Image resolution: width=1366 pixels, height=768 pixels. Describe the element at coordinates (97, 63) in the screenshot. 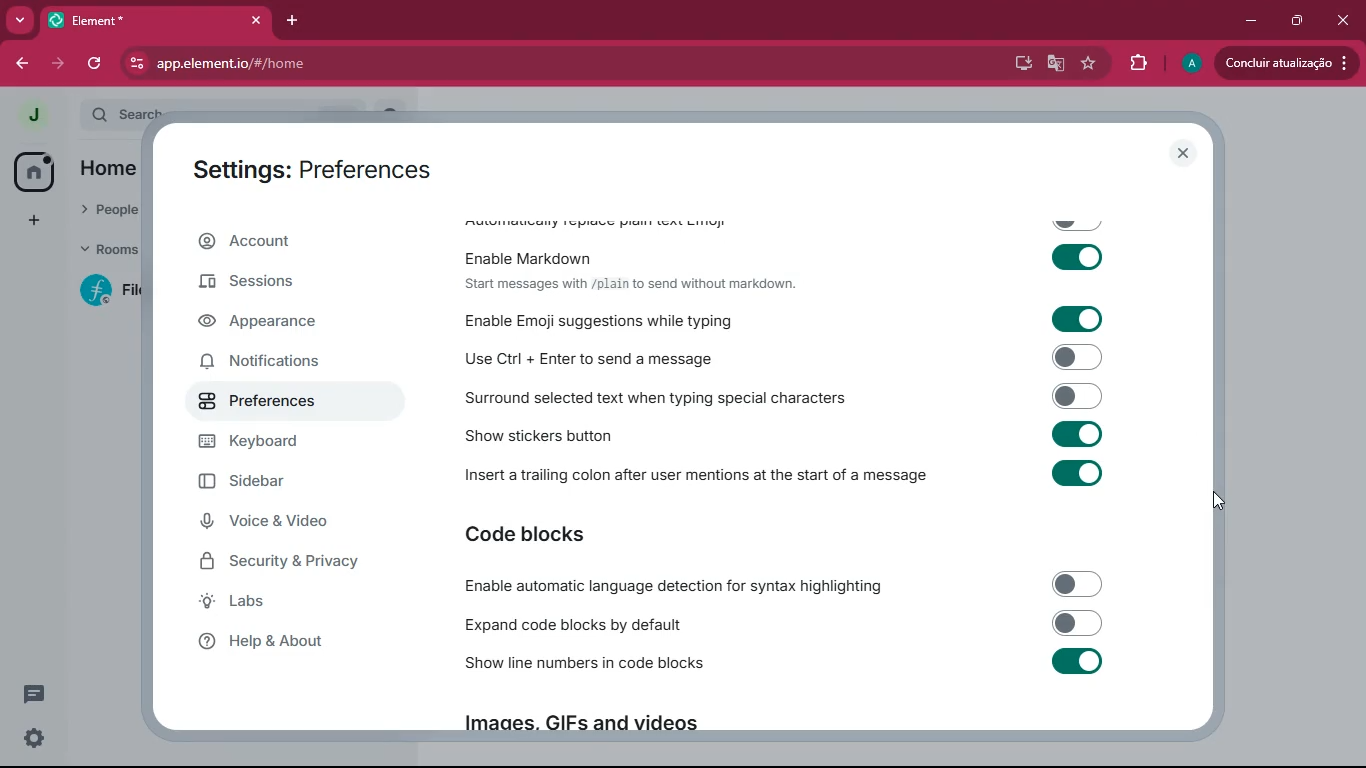

I see `refresh` at that location.